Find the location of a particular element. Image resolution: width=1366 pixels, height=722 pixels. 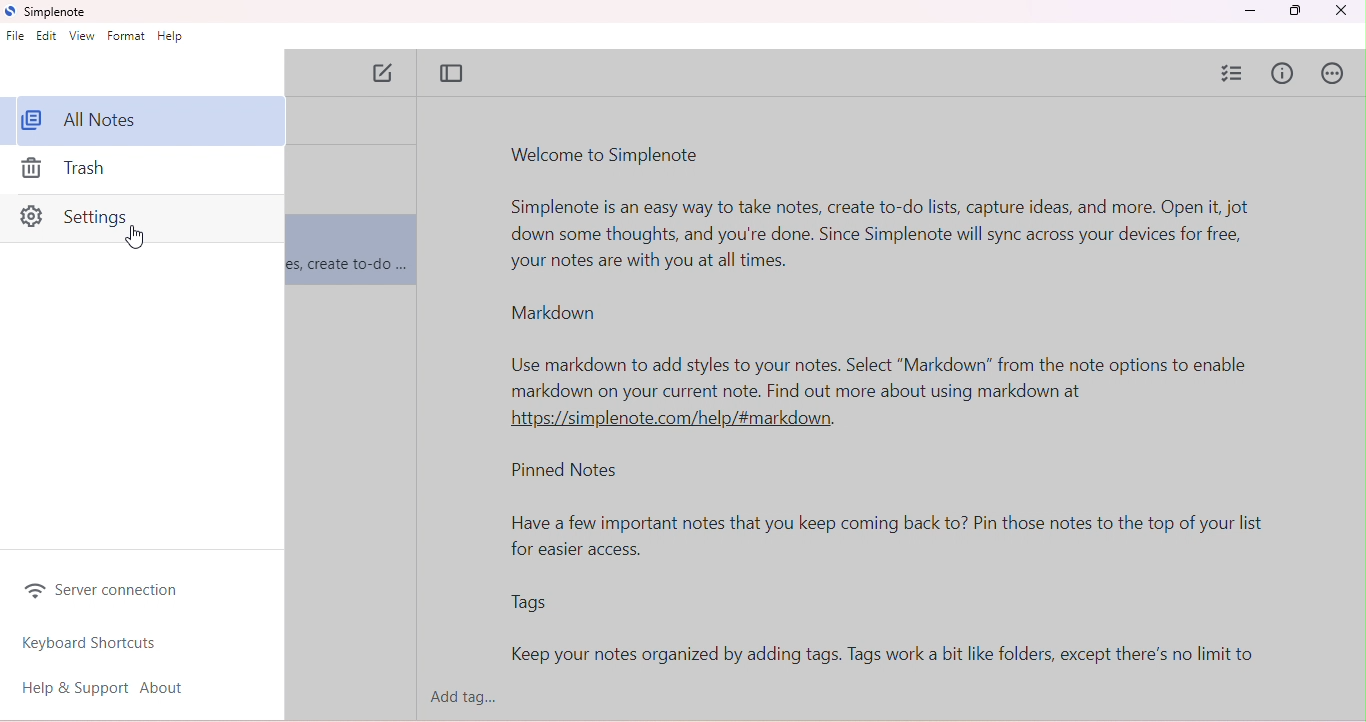

trash is located at coordinates (81, 172).